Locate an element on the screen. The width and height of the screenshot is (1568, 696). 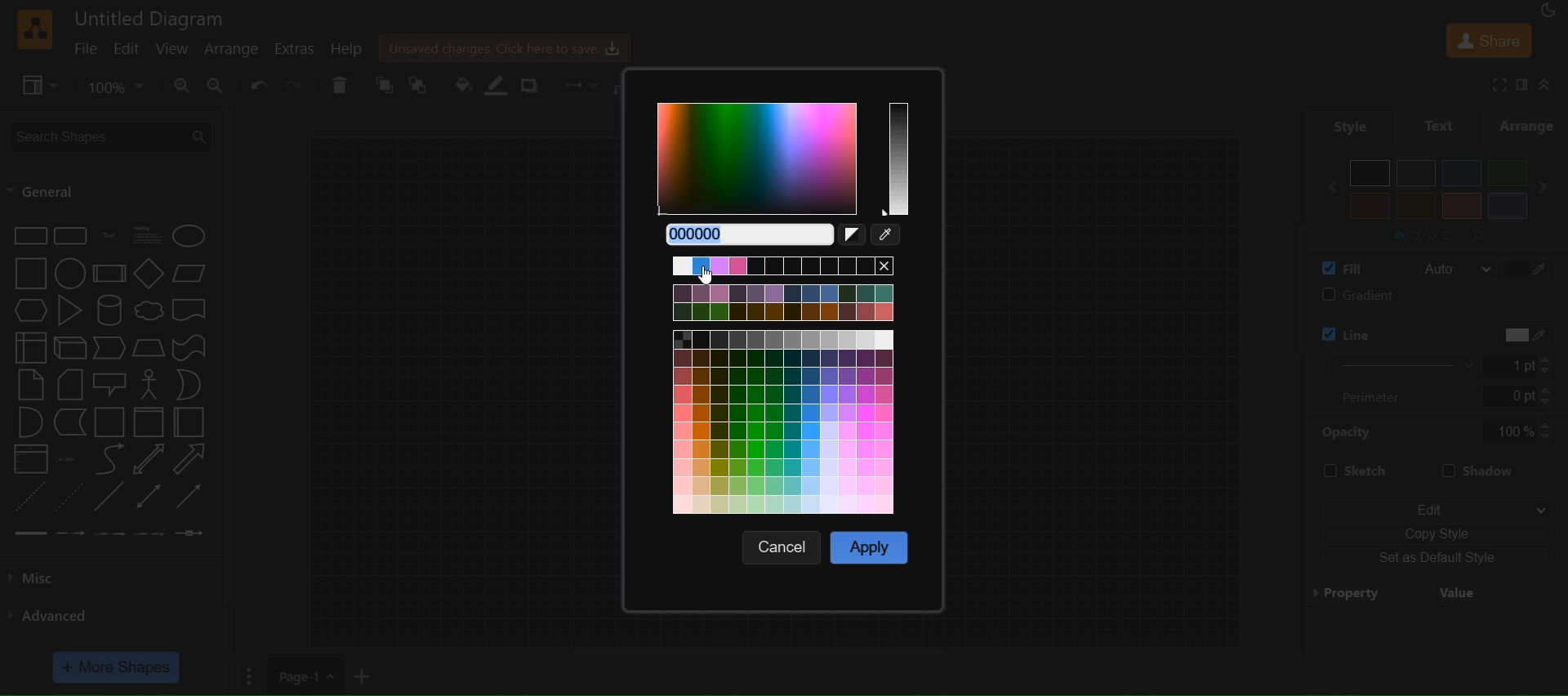
green color is located at coordinates (1506, 172).